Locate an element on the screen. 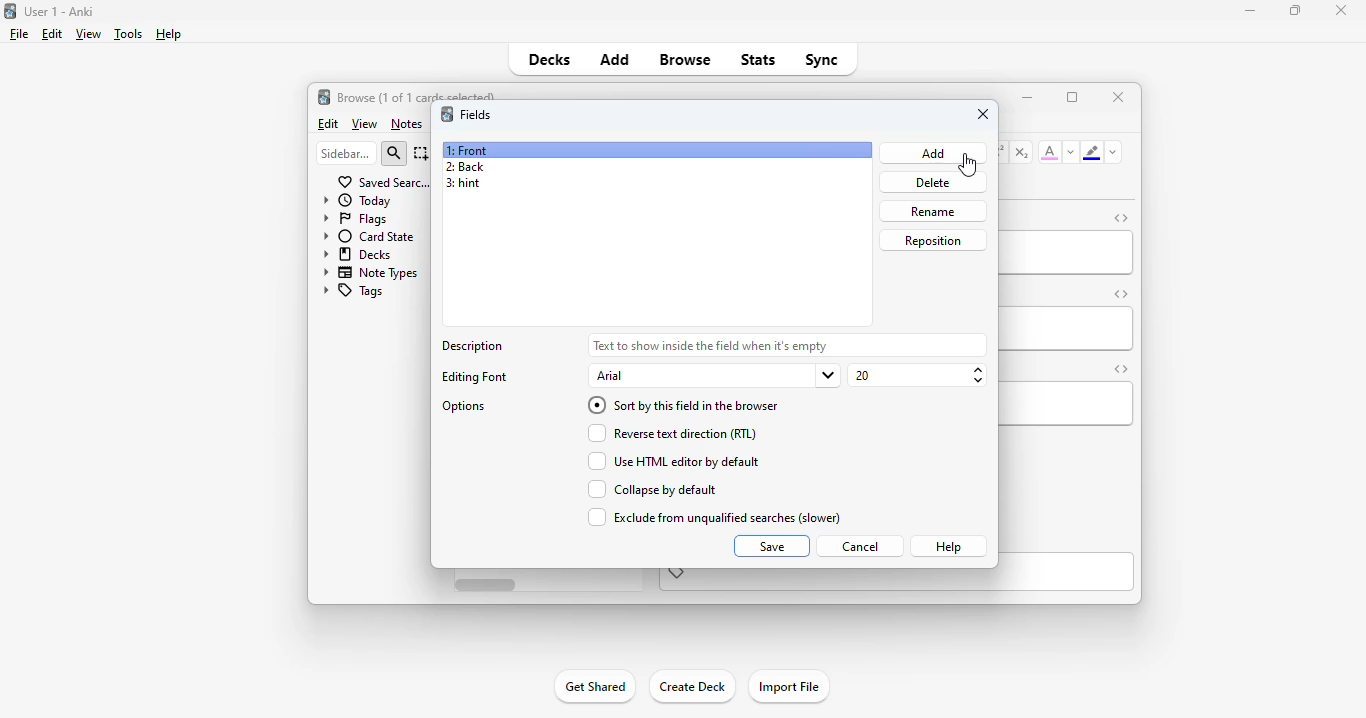  today is located at coordinates (357, 200).